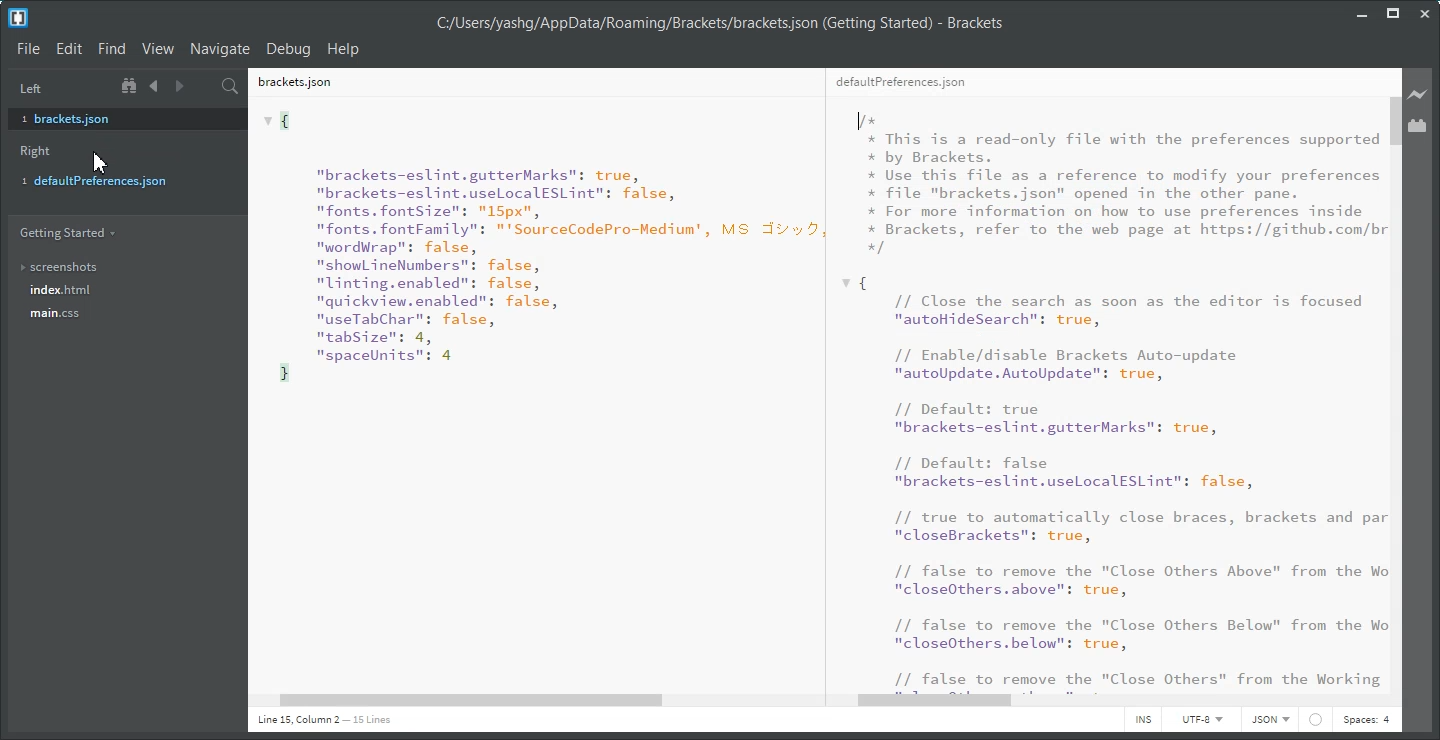  I want to click on File, so click(28, 48).